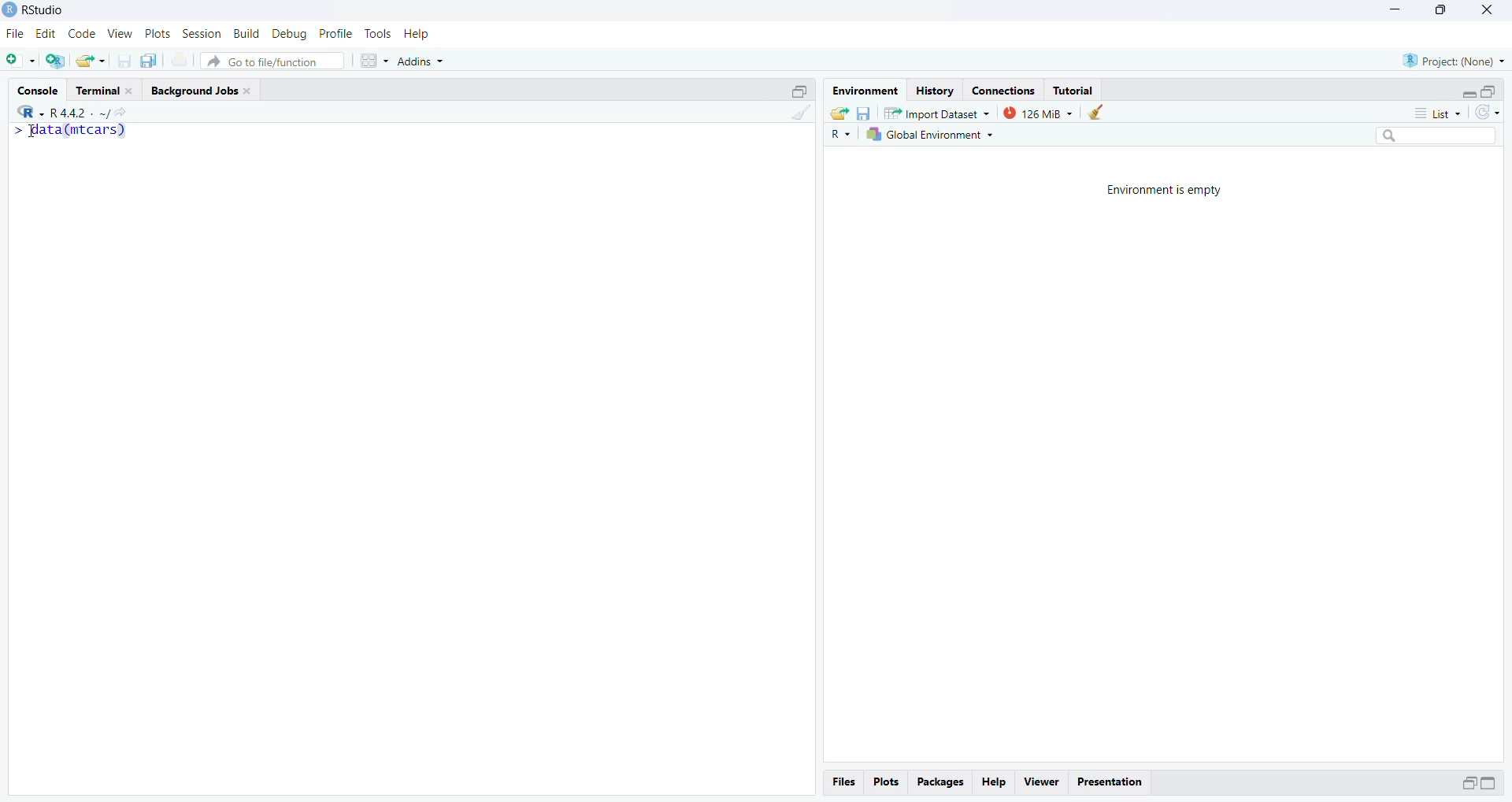  What do you see at coordinates (120, 33) in the screenshot?
I see `View` at bounding box center [120, 33].